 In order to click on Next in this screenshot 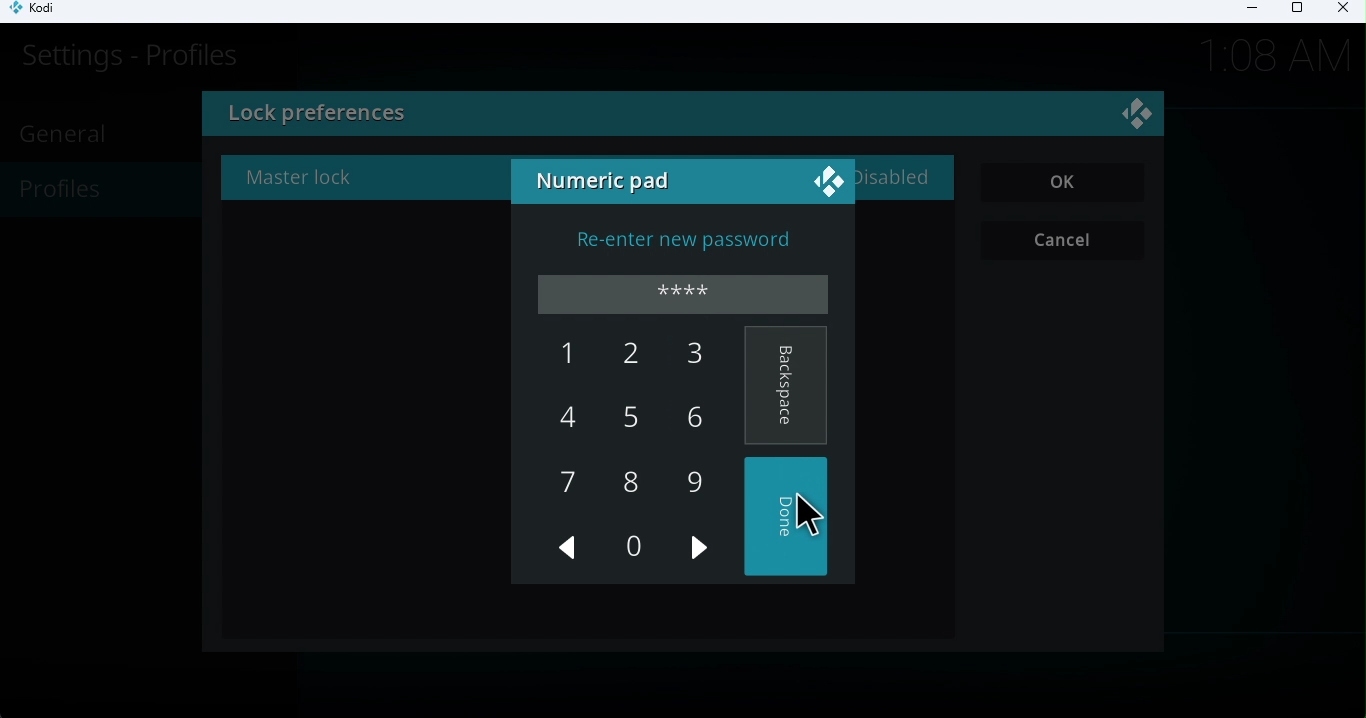, I will do `click(702, 559)`.